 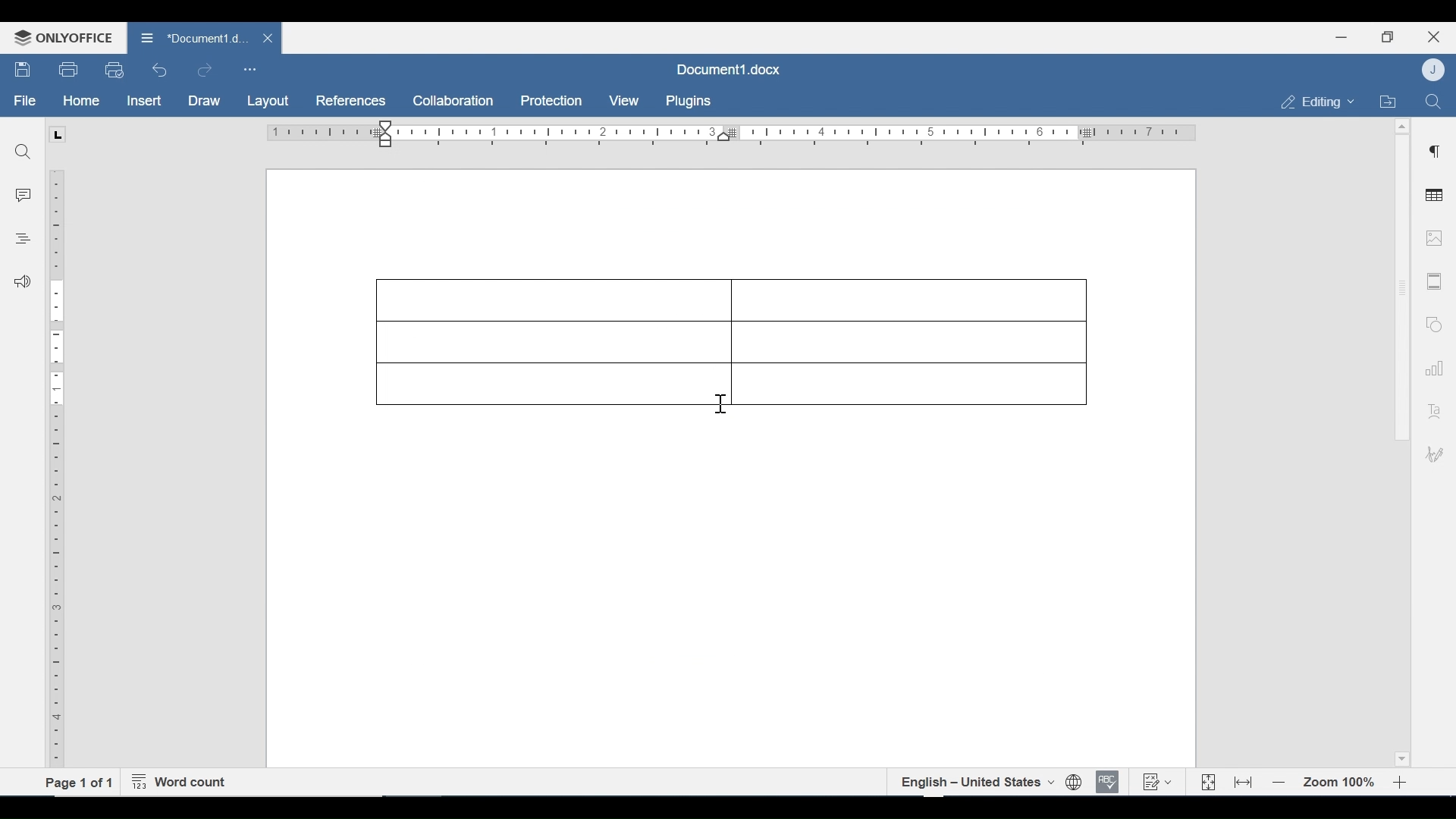 I want to click on Zoom in, so click(x=1403, y=783).